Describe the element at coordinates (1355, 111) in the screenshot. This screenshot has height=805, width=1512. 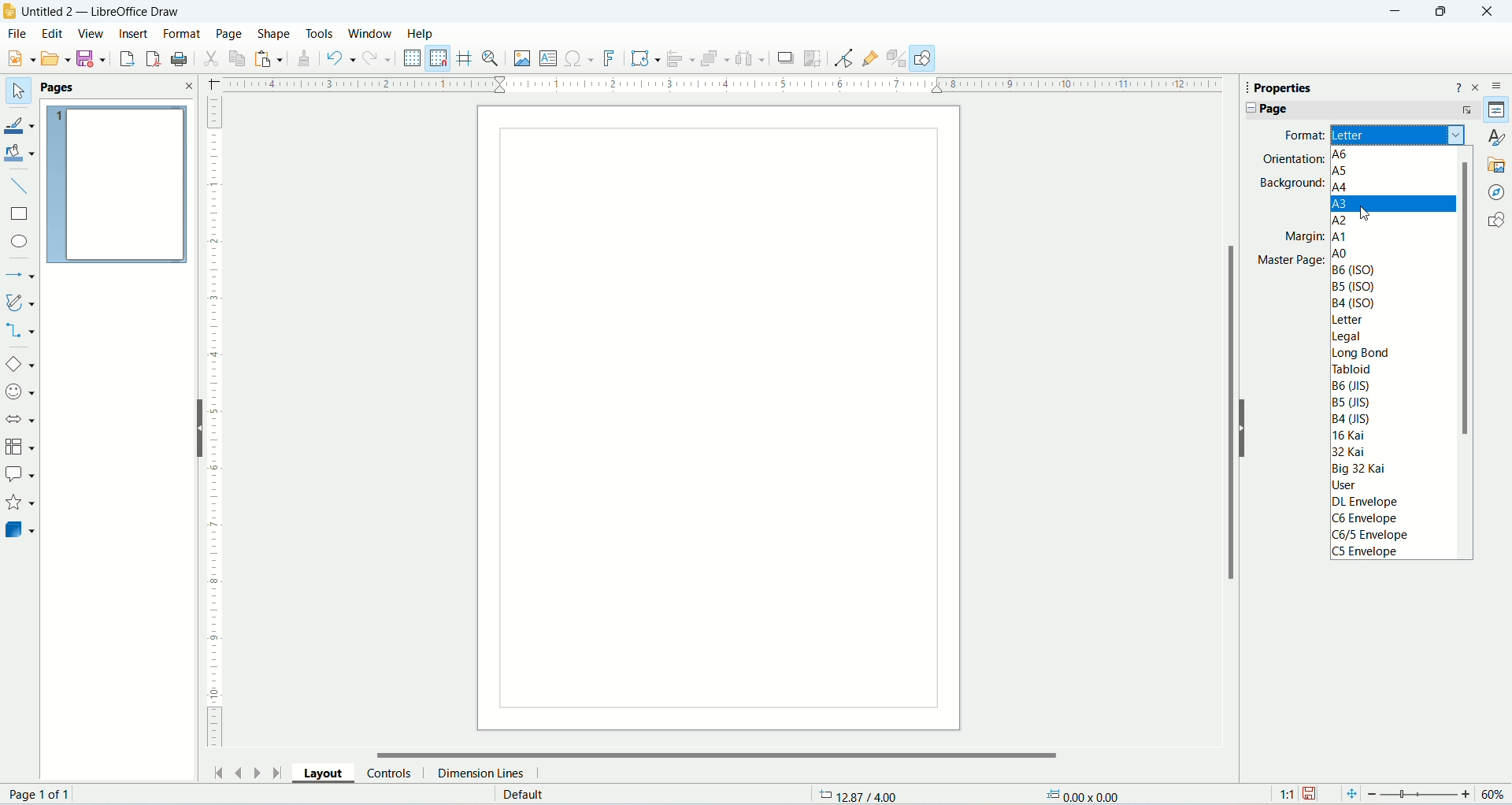
I see `page` at that location.